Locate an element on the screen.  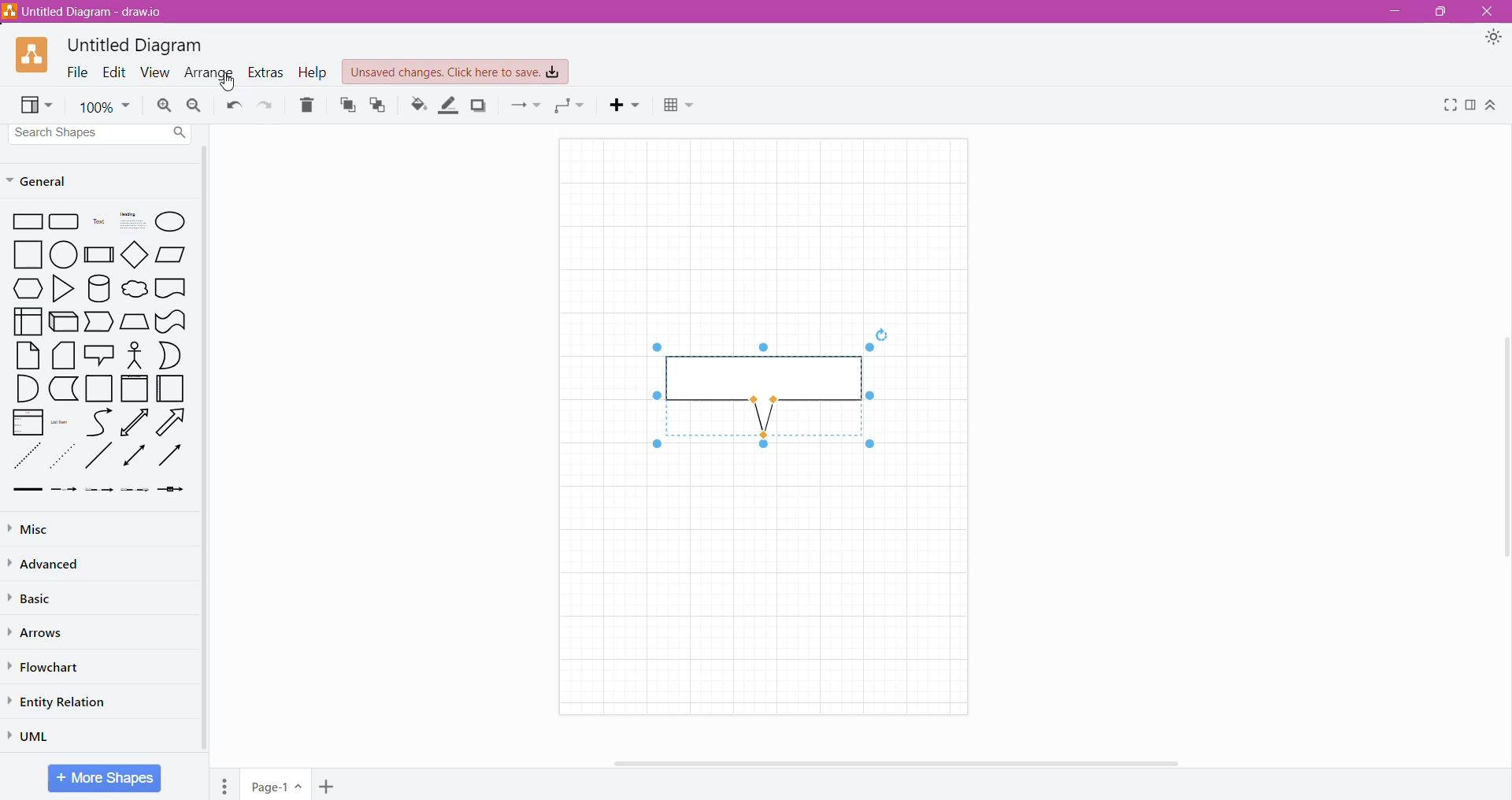
Vertical Scroll Bar is located at coordinates (206, 451).